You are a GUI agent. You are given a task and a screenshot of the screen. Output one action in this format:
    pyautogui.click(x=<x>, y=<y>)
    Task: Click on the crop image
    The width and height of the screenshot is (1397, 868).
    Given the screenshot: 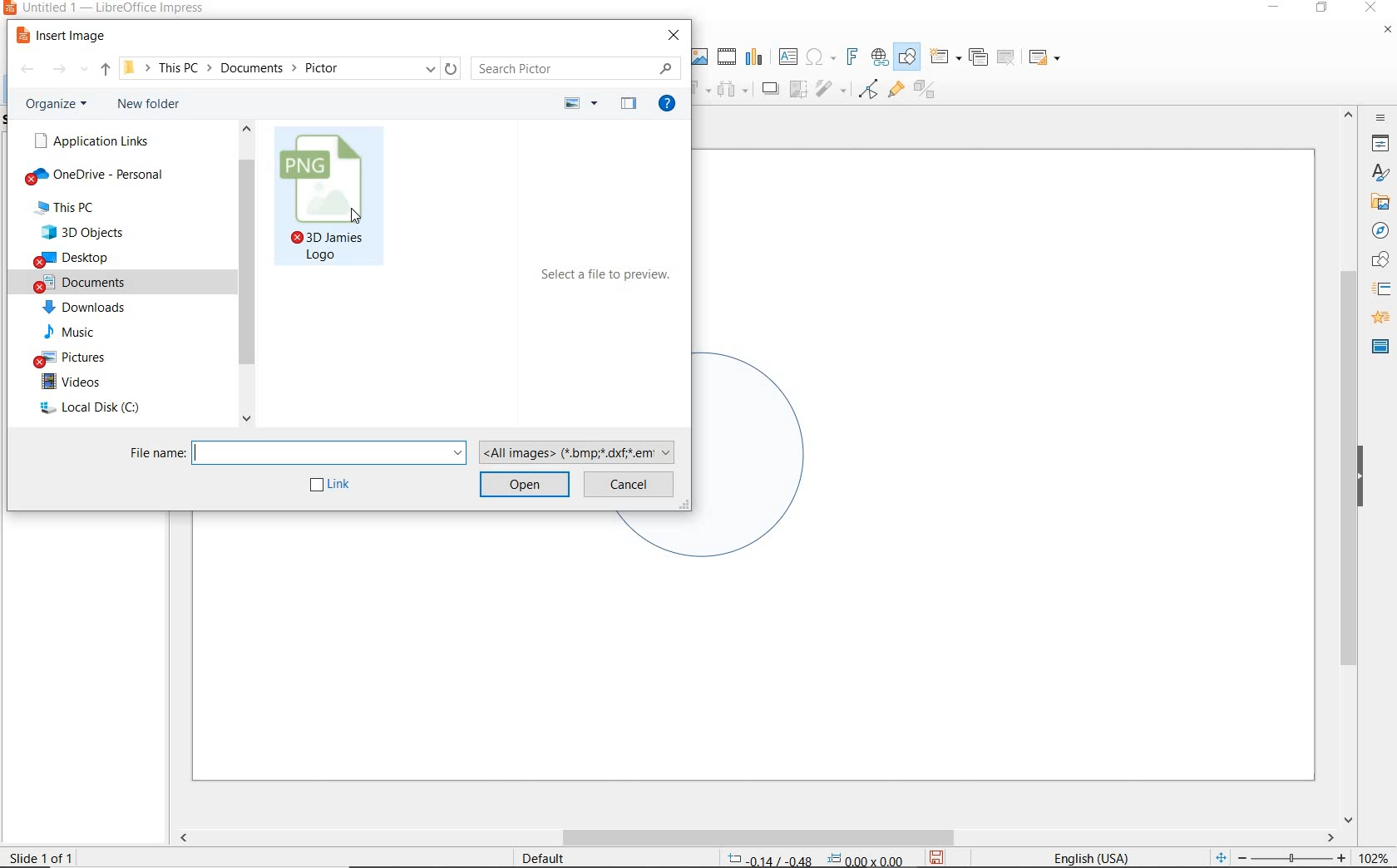 What is the action you would take?
    pyautogui.click(x=797, y=87)
    